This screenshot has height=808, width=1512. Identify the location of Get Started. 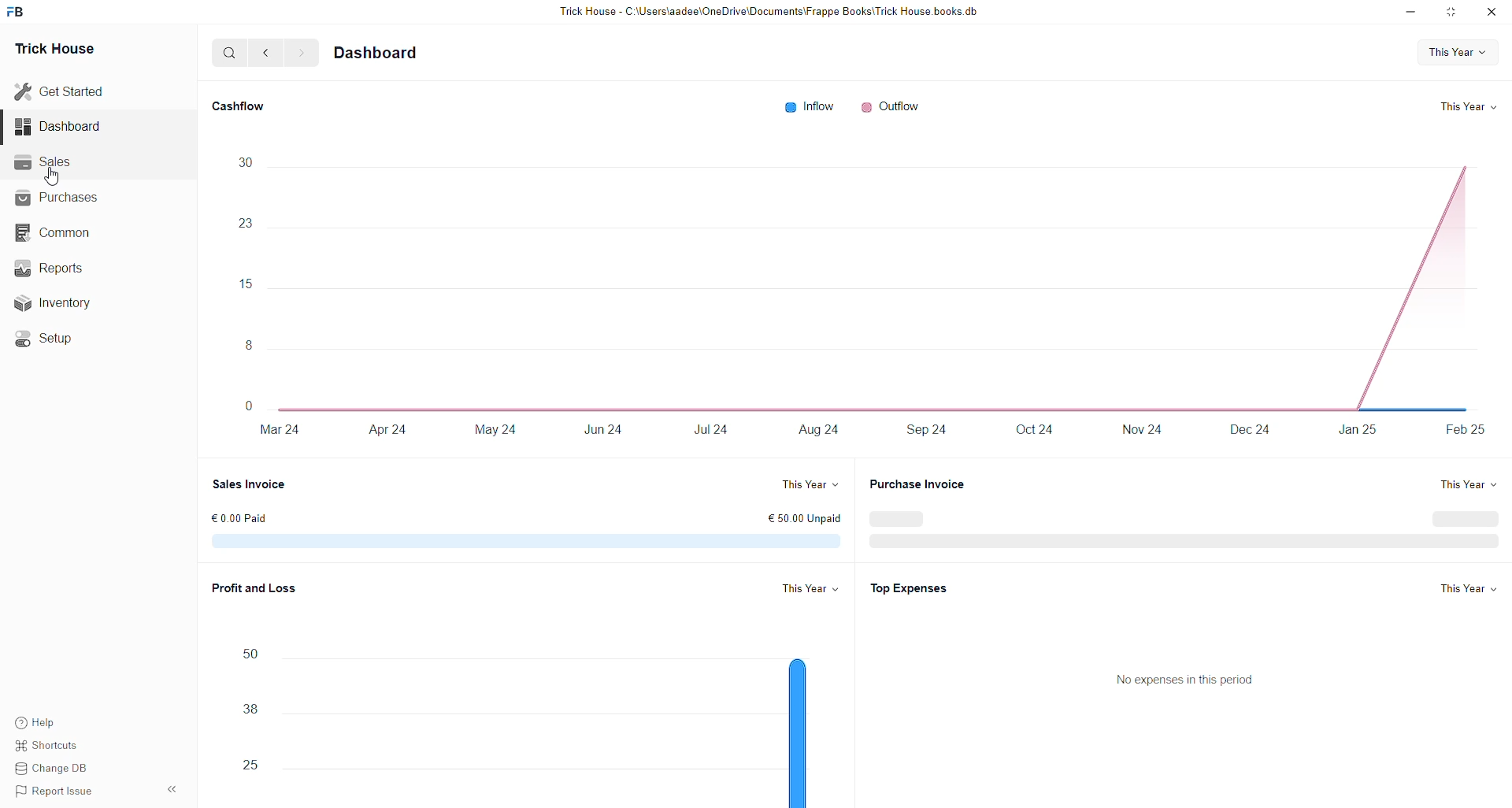
(60, 92).